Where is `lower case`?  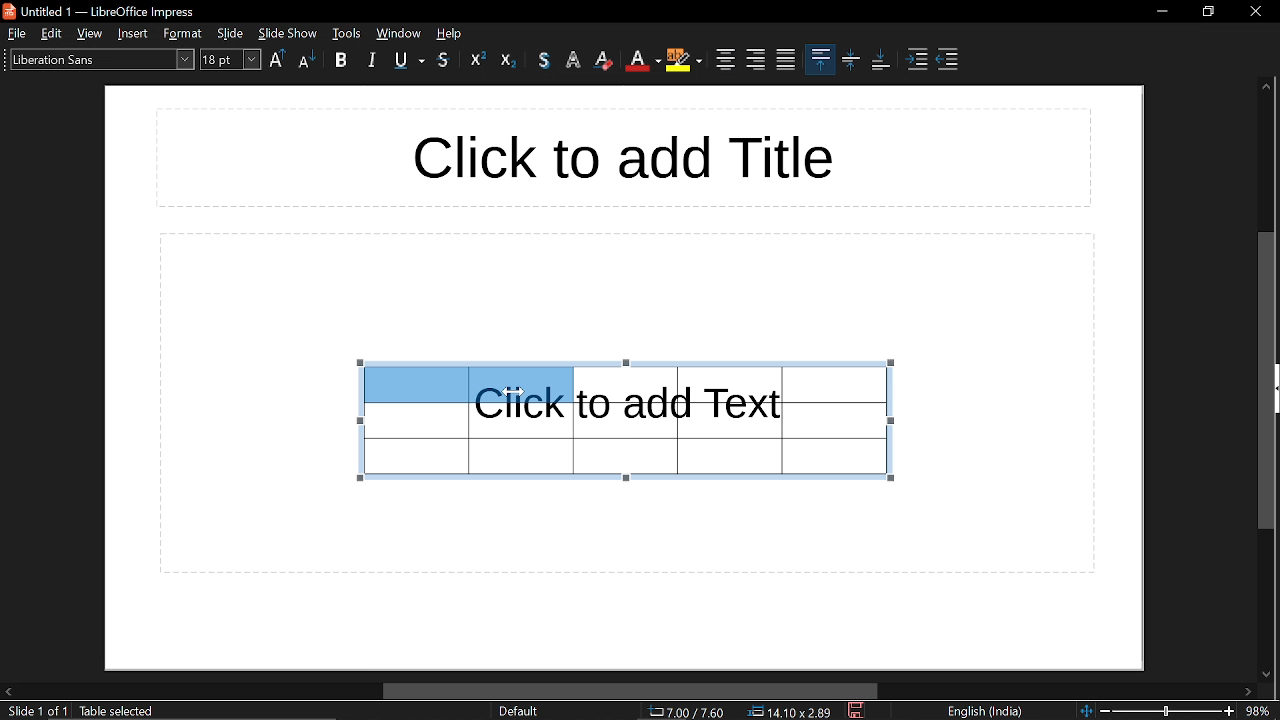 lower case is located at coordinates (307, 61).